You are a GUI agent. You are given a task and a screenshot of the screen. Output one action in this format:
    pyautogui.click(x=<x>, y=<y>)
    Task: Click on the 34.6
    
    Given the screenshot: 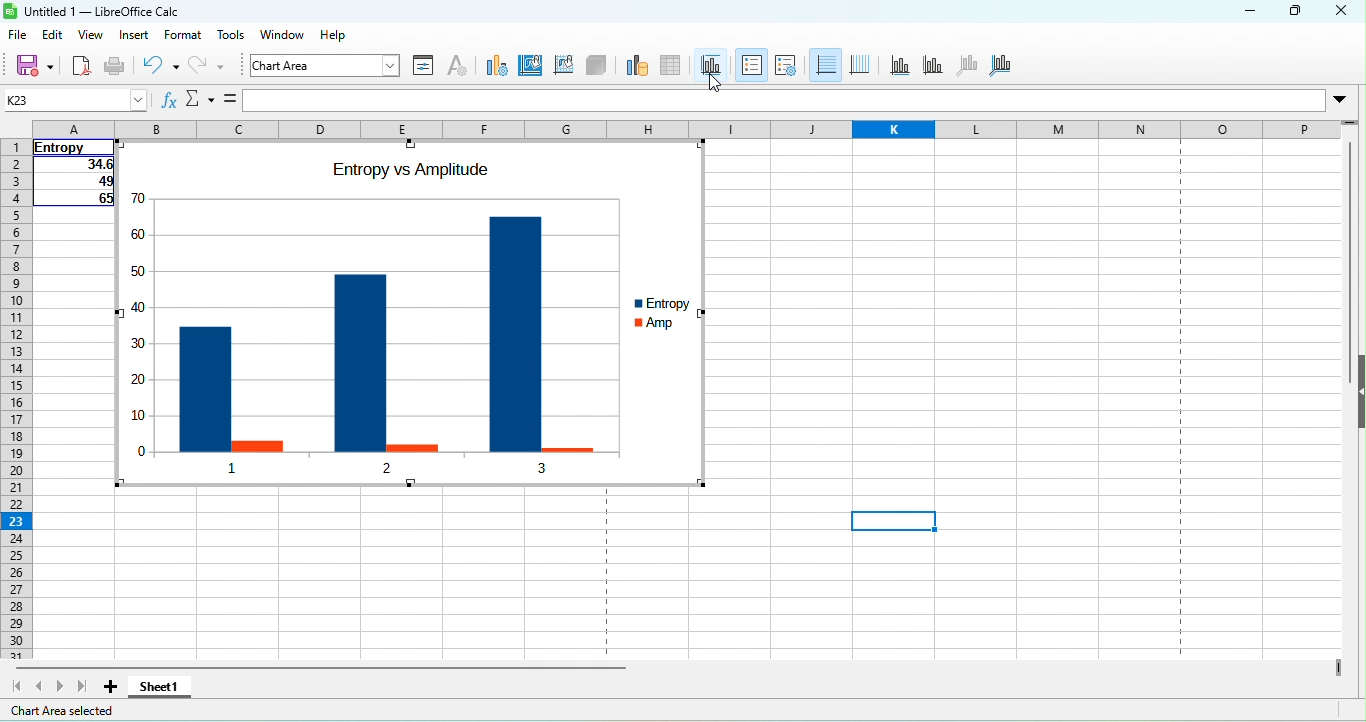 What is the action you would take?
    pyautogui.click(x=72, y=166)
    